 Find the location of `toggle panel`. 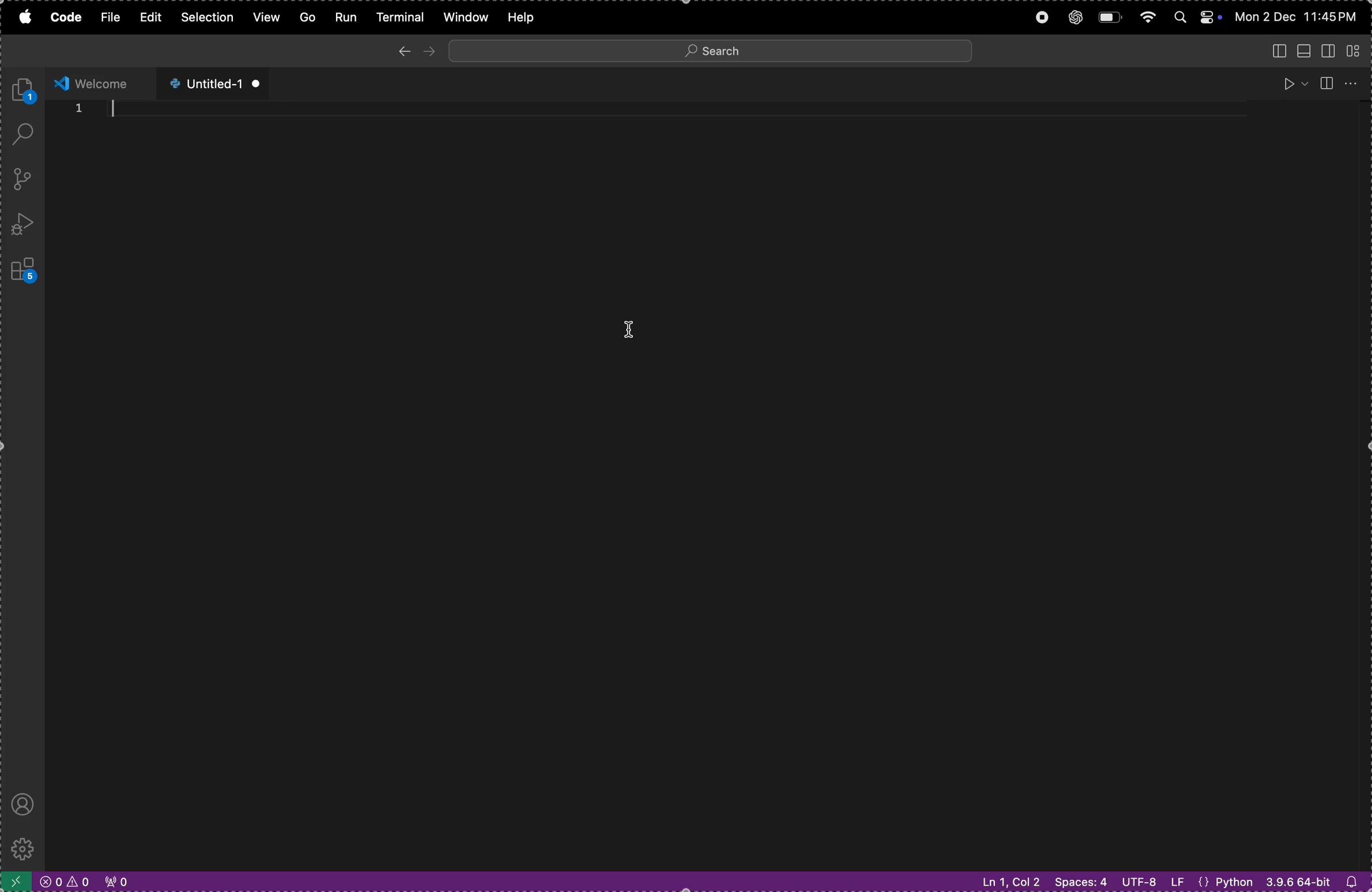

toggle panel is located at coordinates (1305, 51).